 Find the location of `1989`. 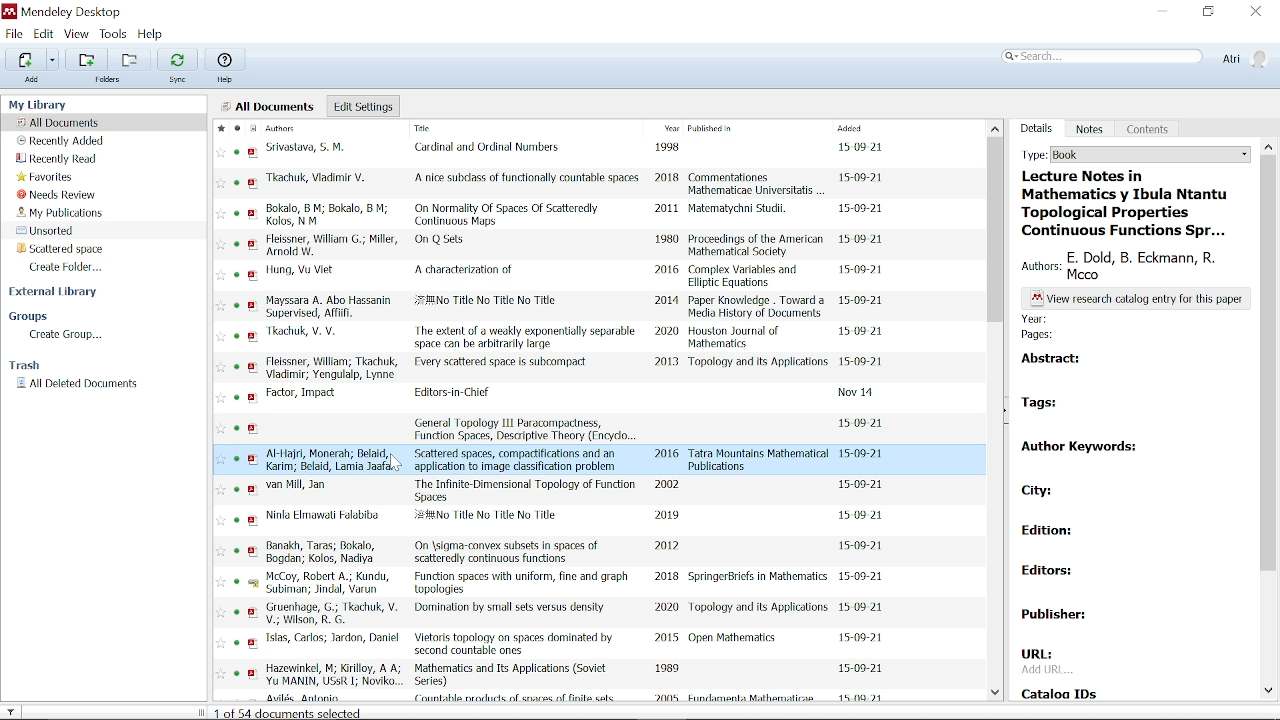

1989 is located at coordinates (667, 669).